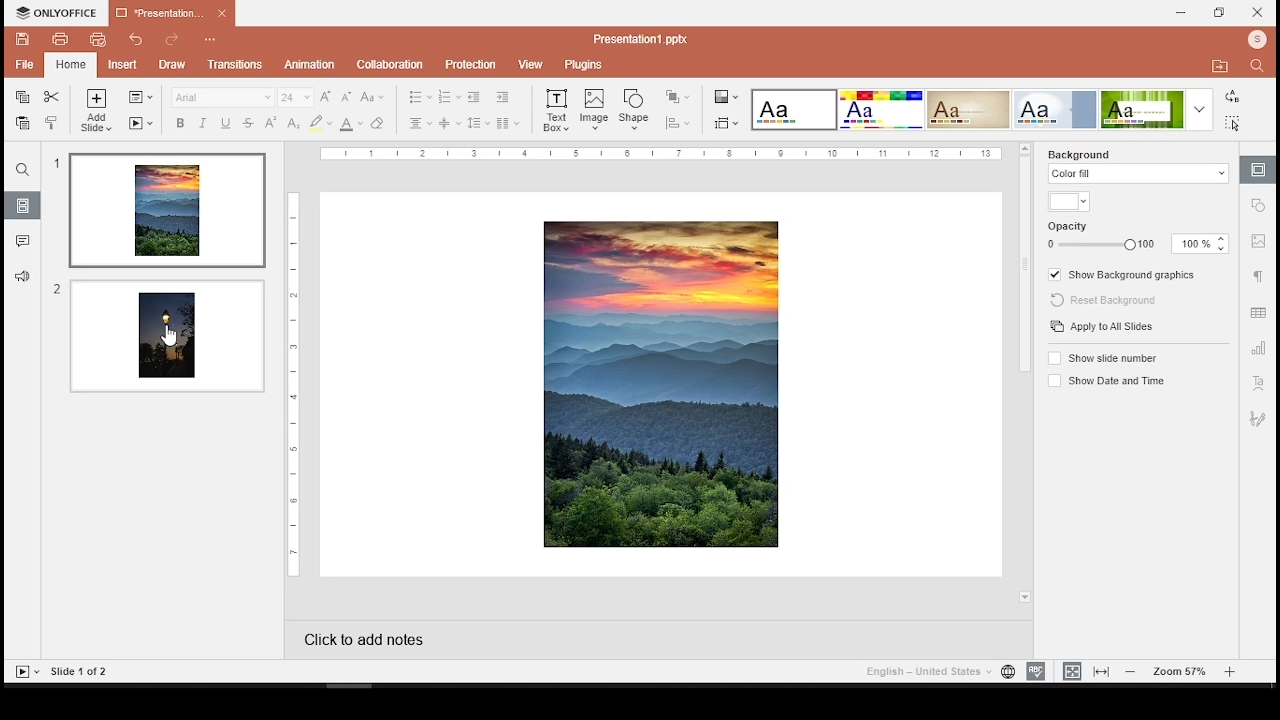  I want to click on subscript, so click(292, 124).